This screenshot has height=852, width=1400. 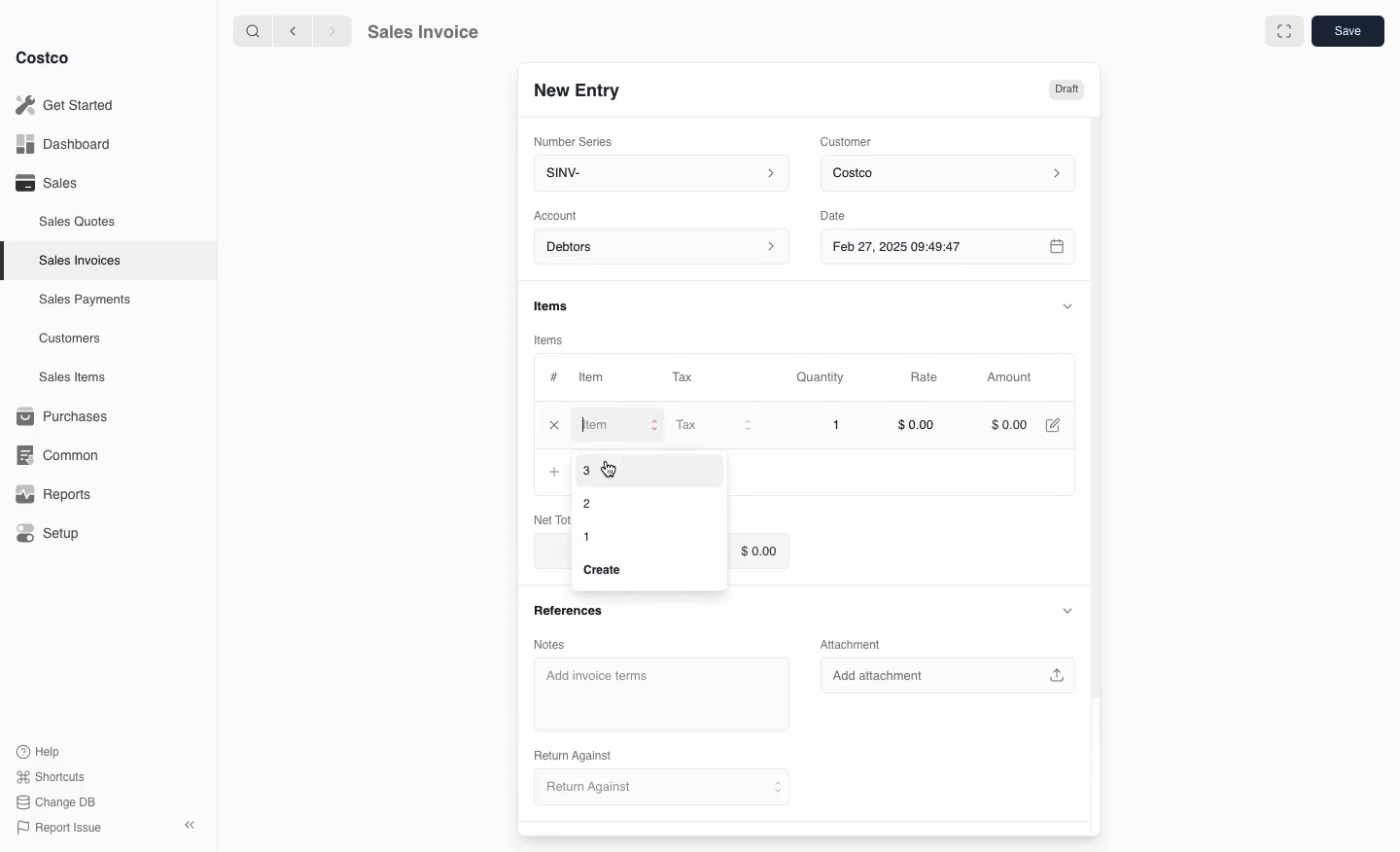 What do you see at coordinates (249, 30) in the screenshot?
I see `search` at bounding box center [249, 30].